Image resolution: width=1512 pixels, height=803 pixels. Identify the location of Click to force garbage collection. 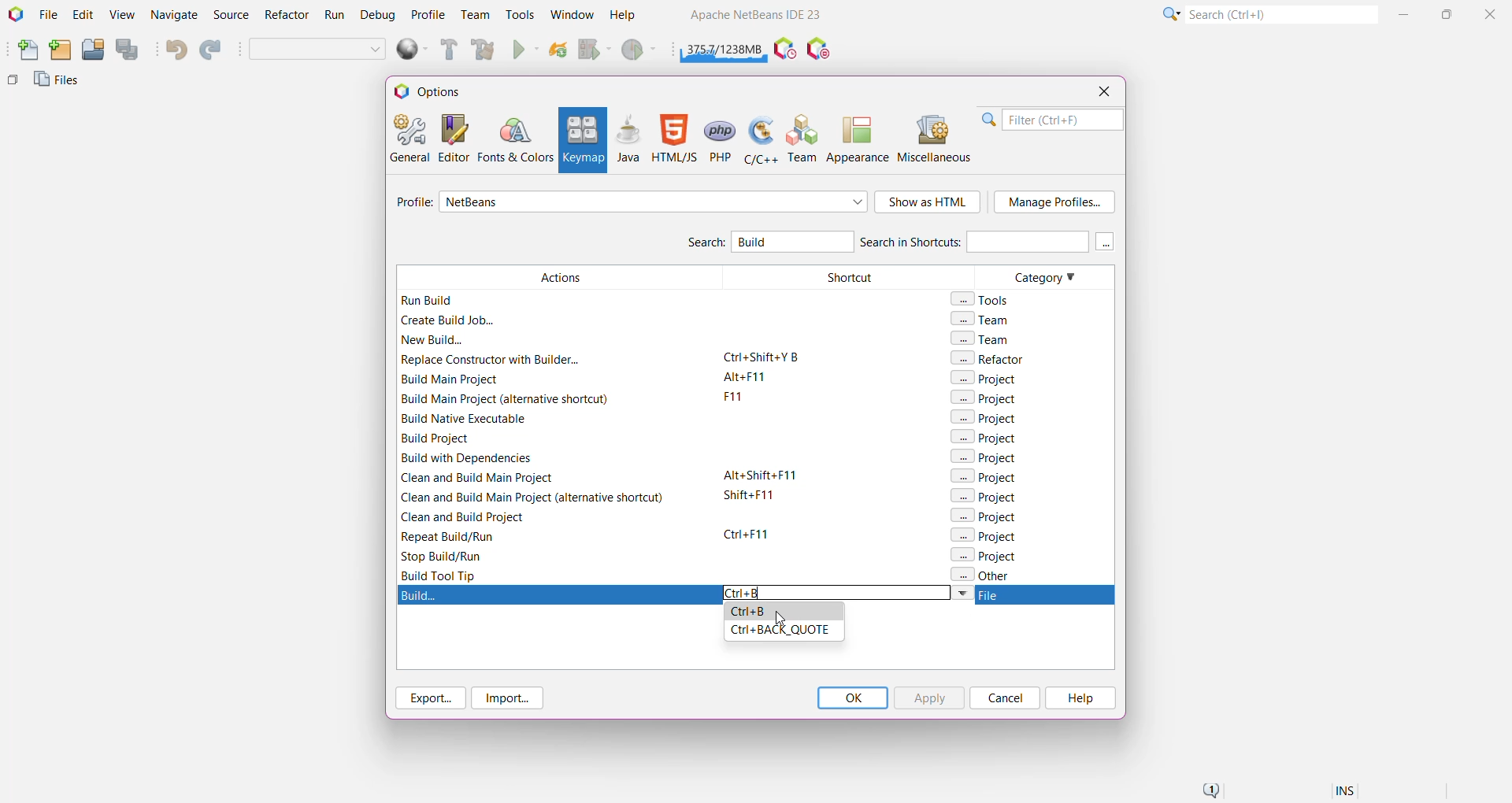
(724, 47).